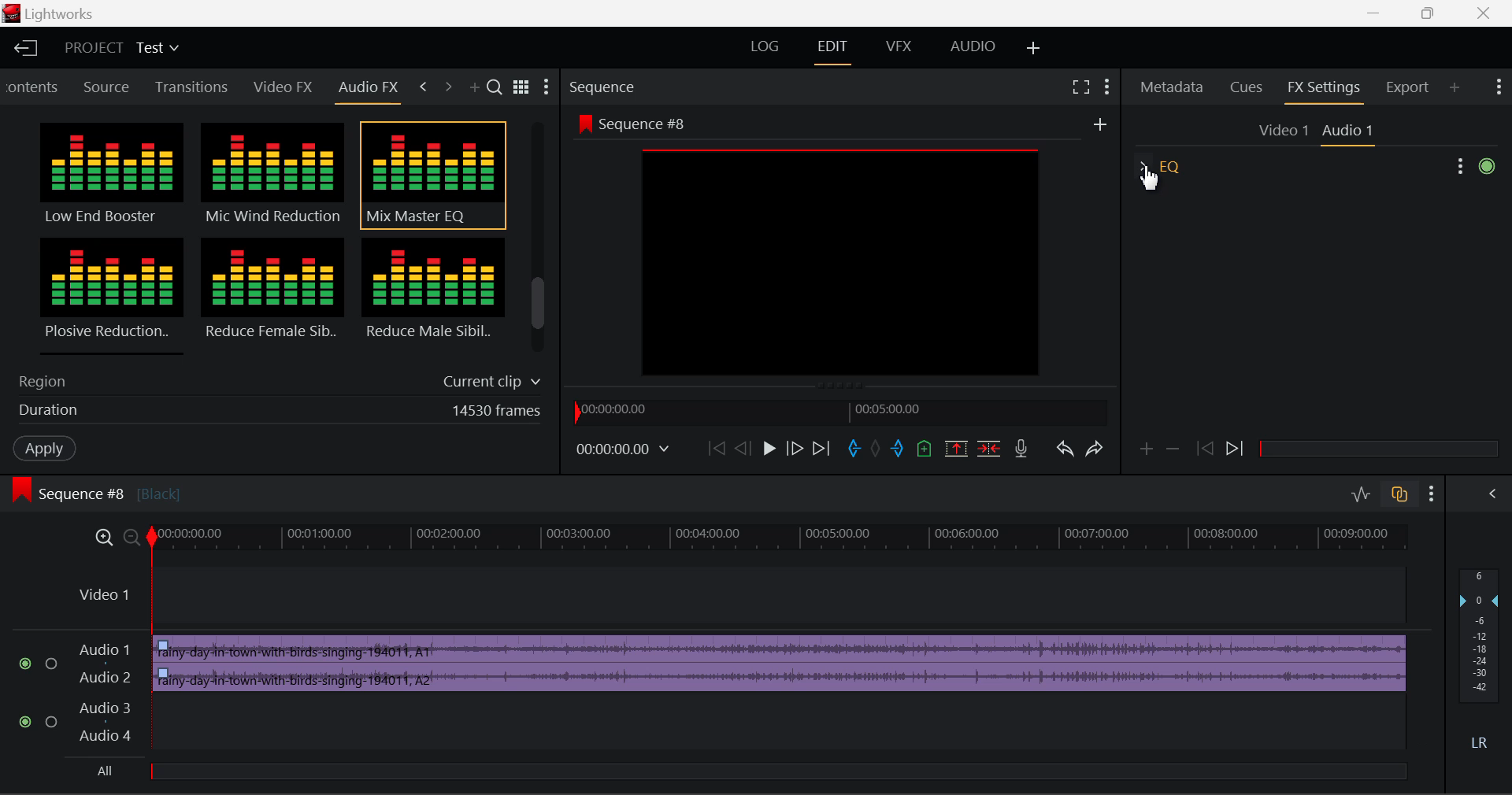  What do you see at coordinates (838, 411) in the screenshot?
I see `Project Timeline Navigator` at bounding box center [838, 411].